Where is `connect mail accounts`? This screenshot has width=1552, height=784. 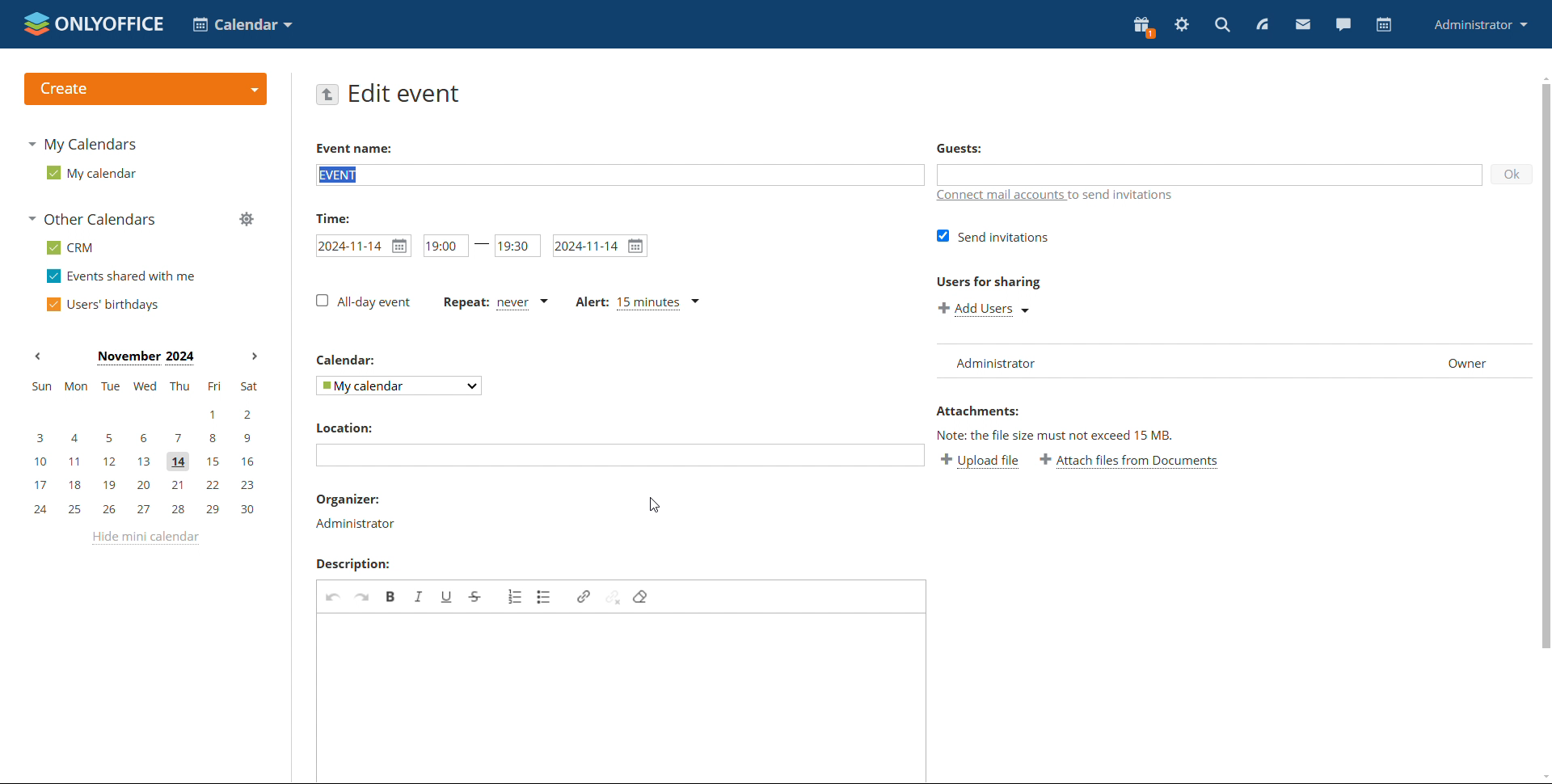 connect mail accounts is located at coordinates (1056, 194).